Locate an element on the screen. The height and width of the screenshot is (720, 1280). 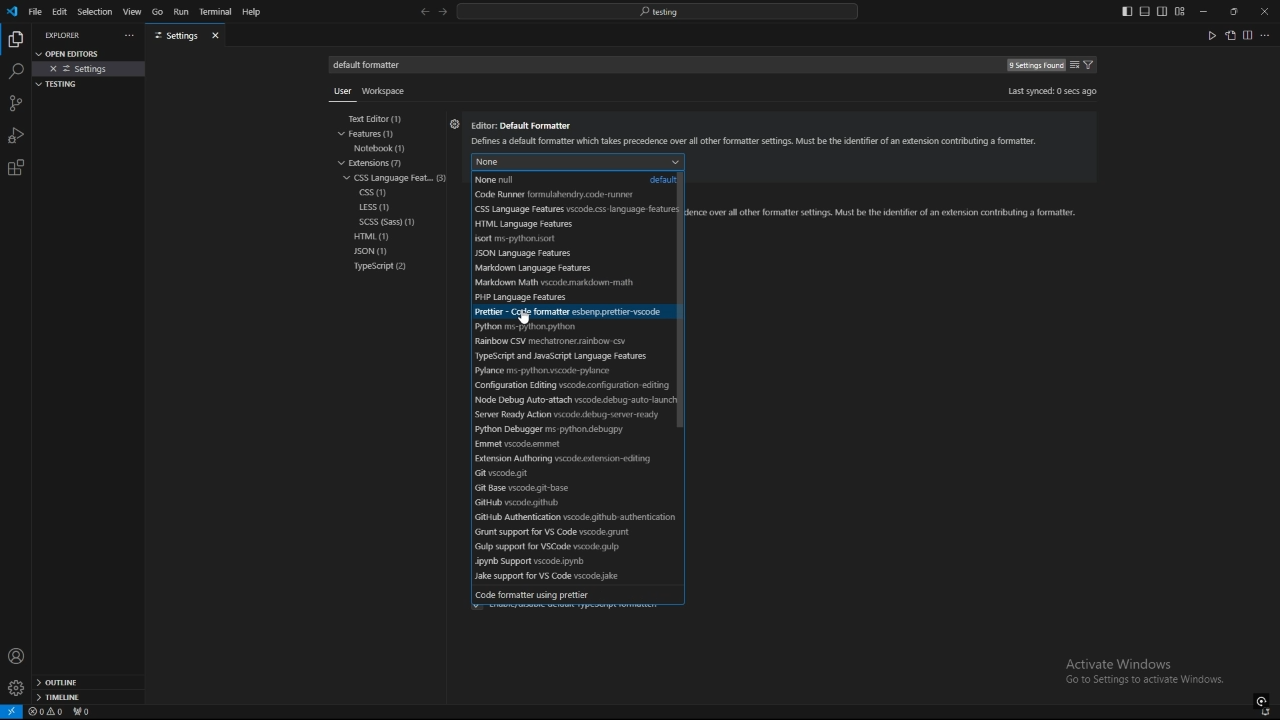
markdown is located at coordinates (558, 268).